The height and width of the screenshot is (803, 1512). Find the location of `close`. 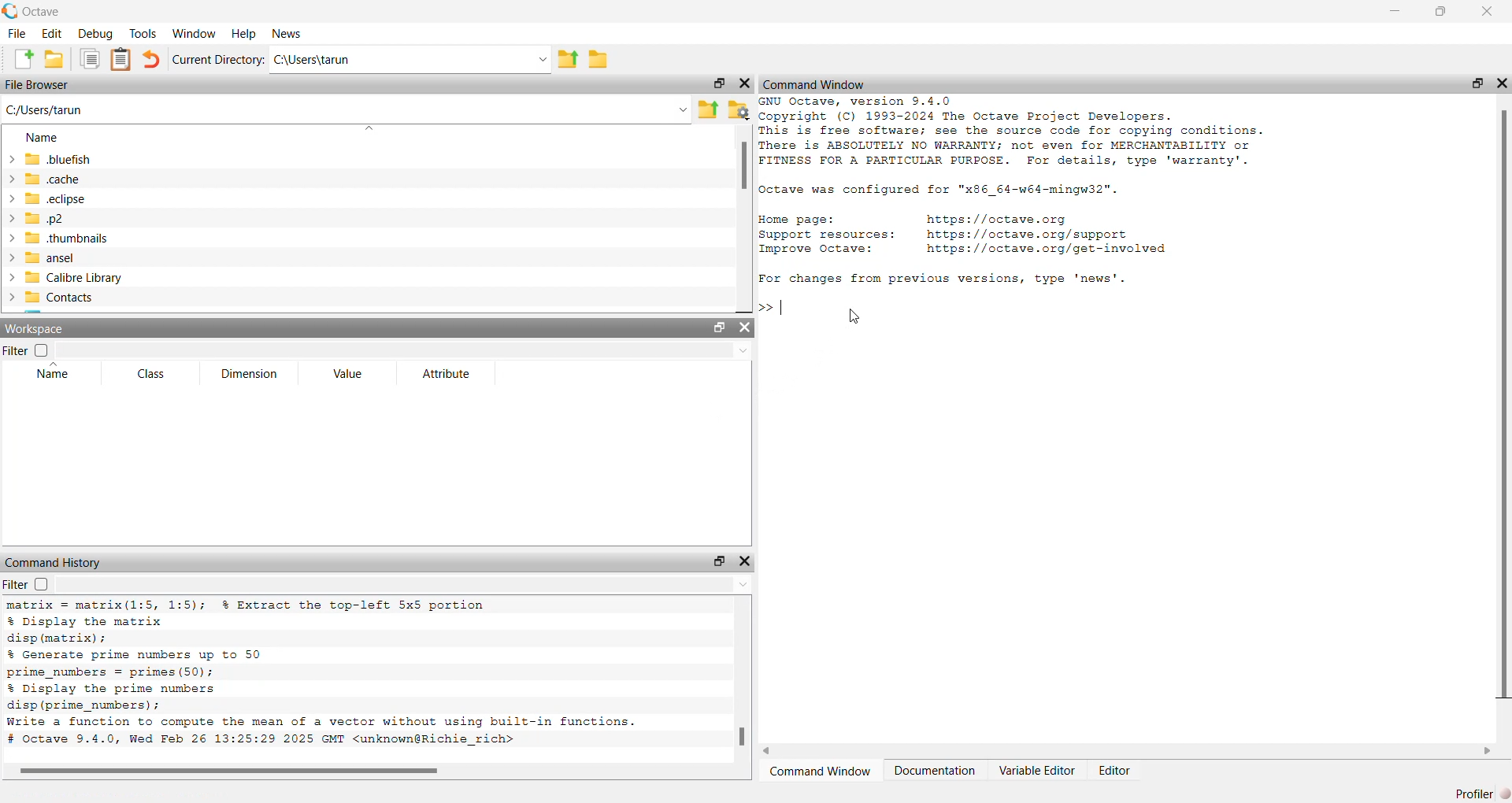

close is located at coordinates (1488, 9).